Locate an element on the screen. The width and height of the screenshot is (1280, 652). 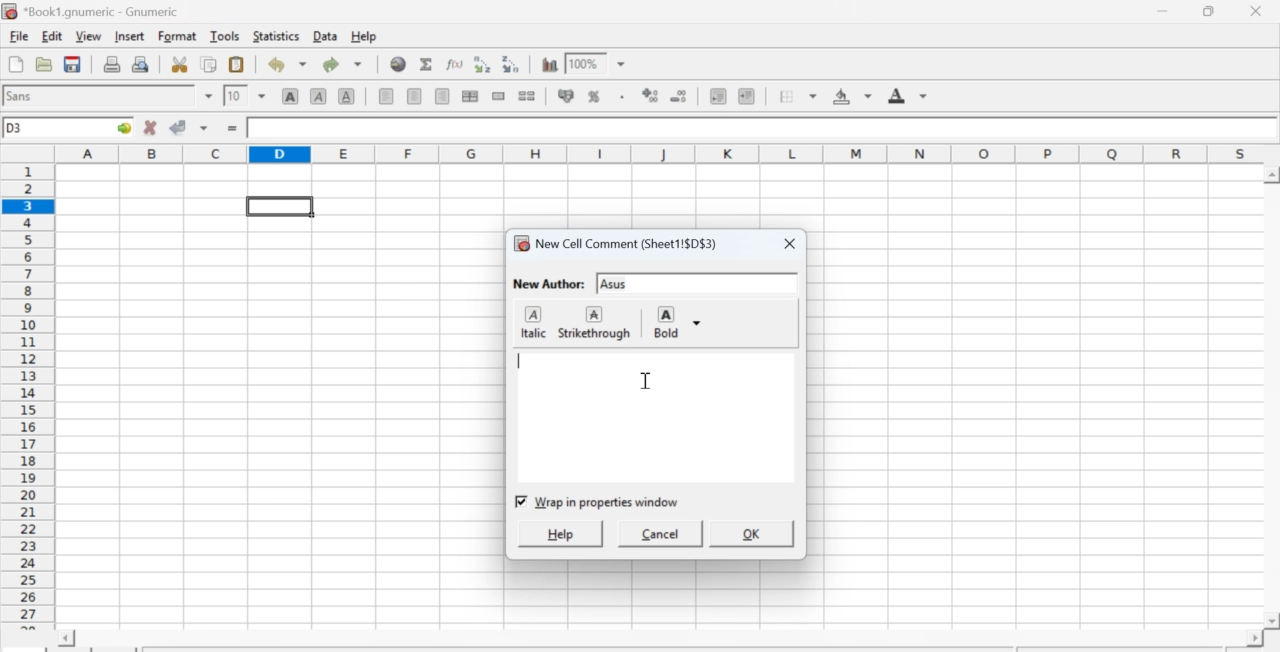
Decrease indent is located at coordinates (717, 96).